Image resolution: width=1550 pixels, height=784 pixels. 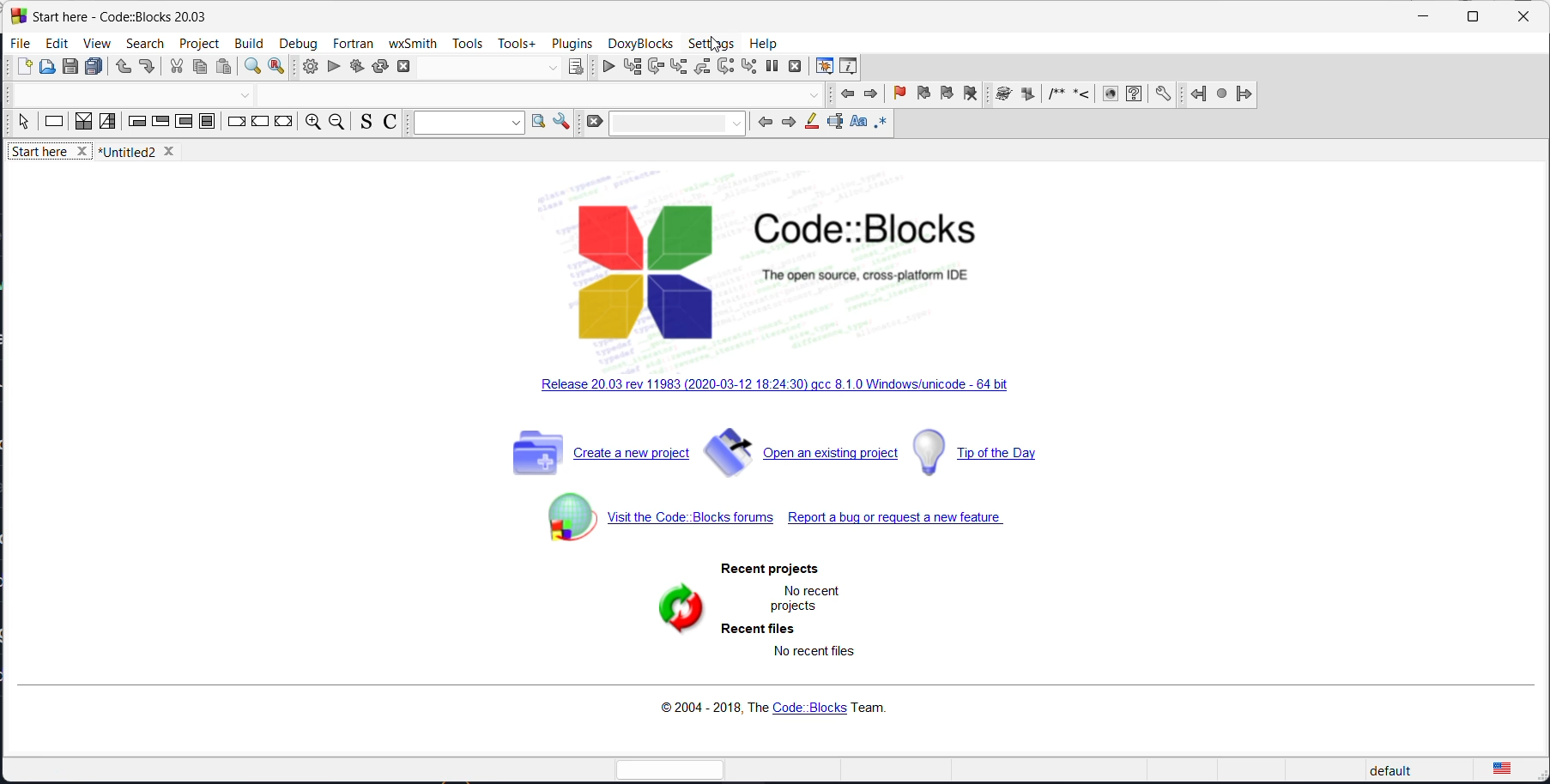 I want to click on toggle comment, so click(x=392, y=124).